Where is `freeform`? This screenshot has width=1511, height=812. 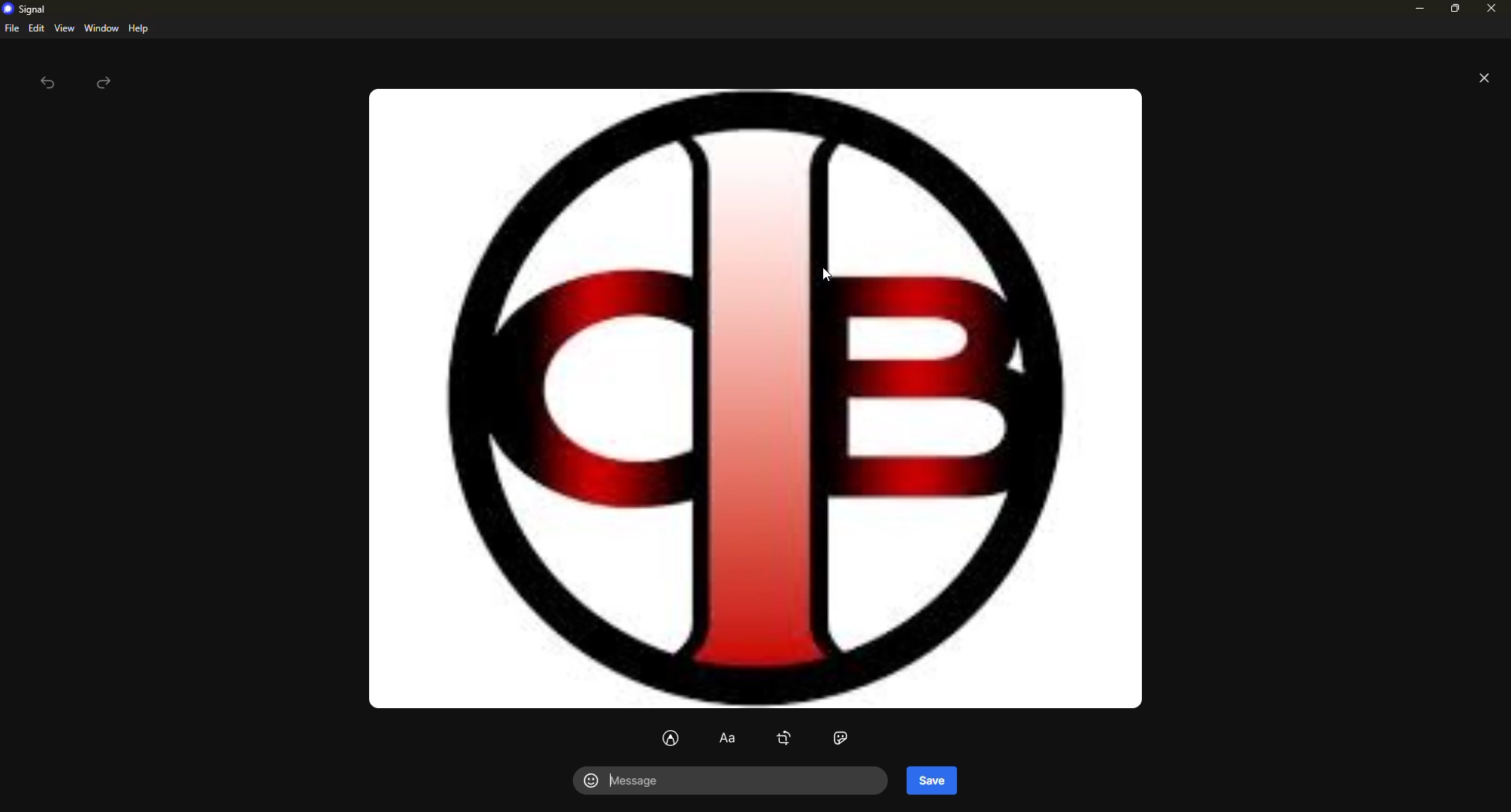
freeform is located at coordinates (673, 736).